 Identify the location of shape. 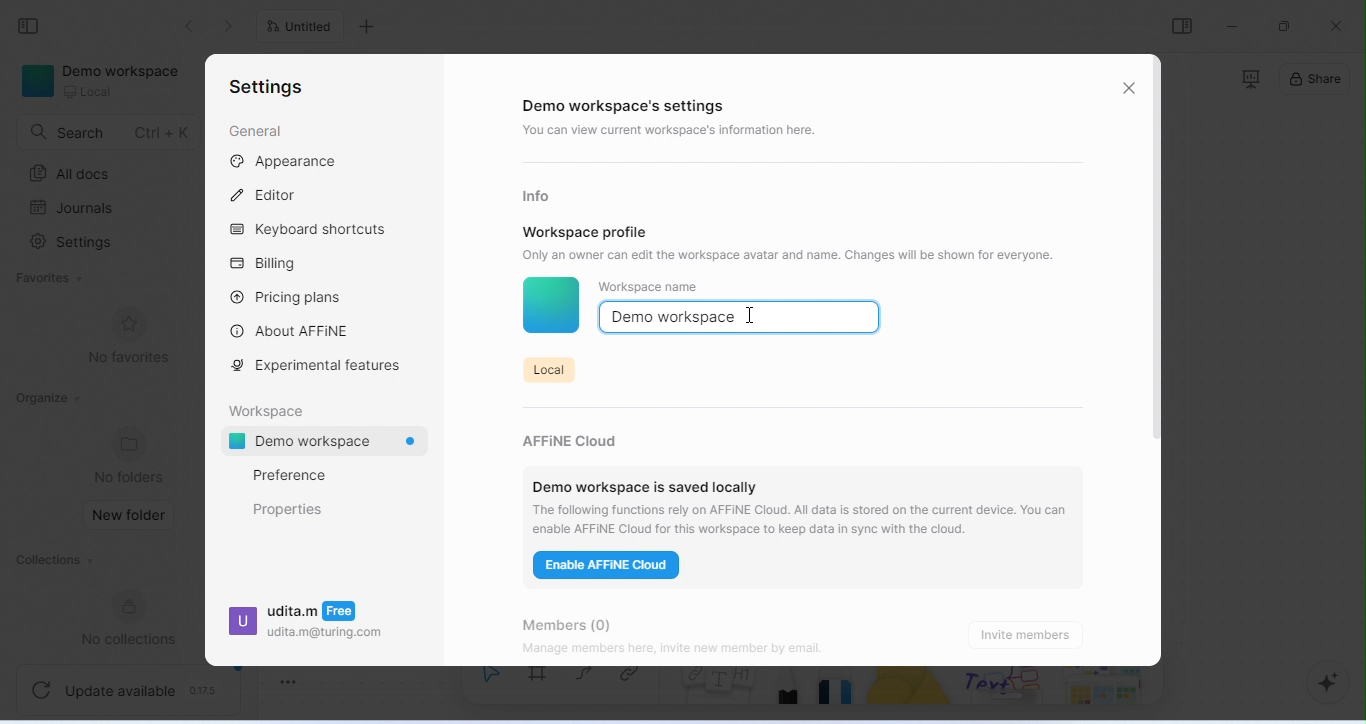
(912, 694).